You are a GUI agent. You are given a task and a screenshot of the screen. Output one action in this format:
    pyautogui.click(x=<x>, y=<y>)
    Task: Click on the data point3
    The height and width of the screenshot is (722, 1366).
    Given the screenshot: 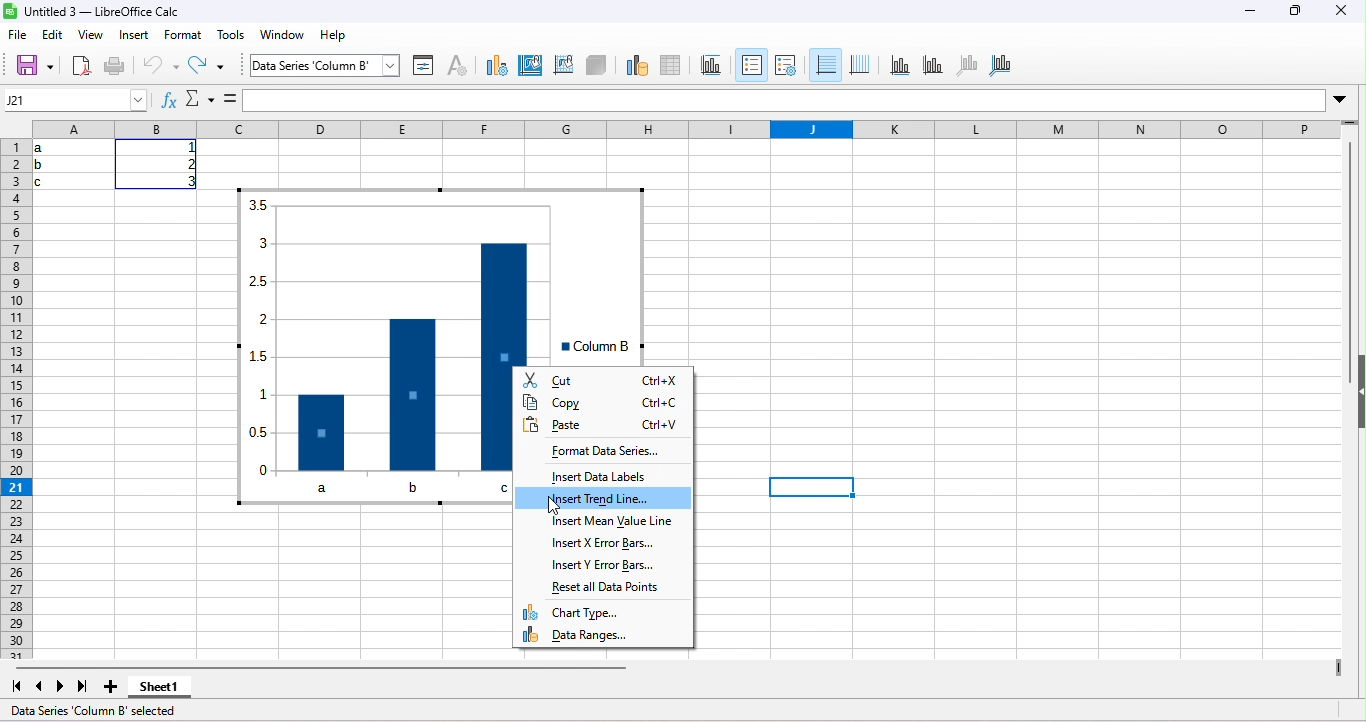 What is the action you would take?
    pyautogui.click(x=496, y=354)
    